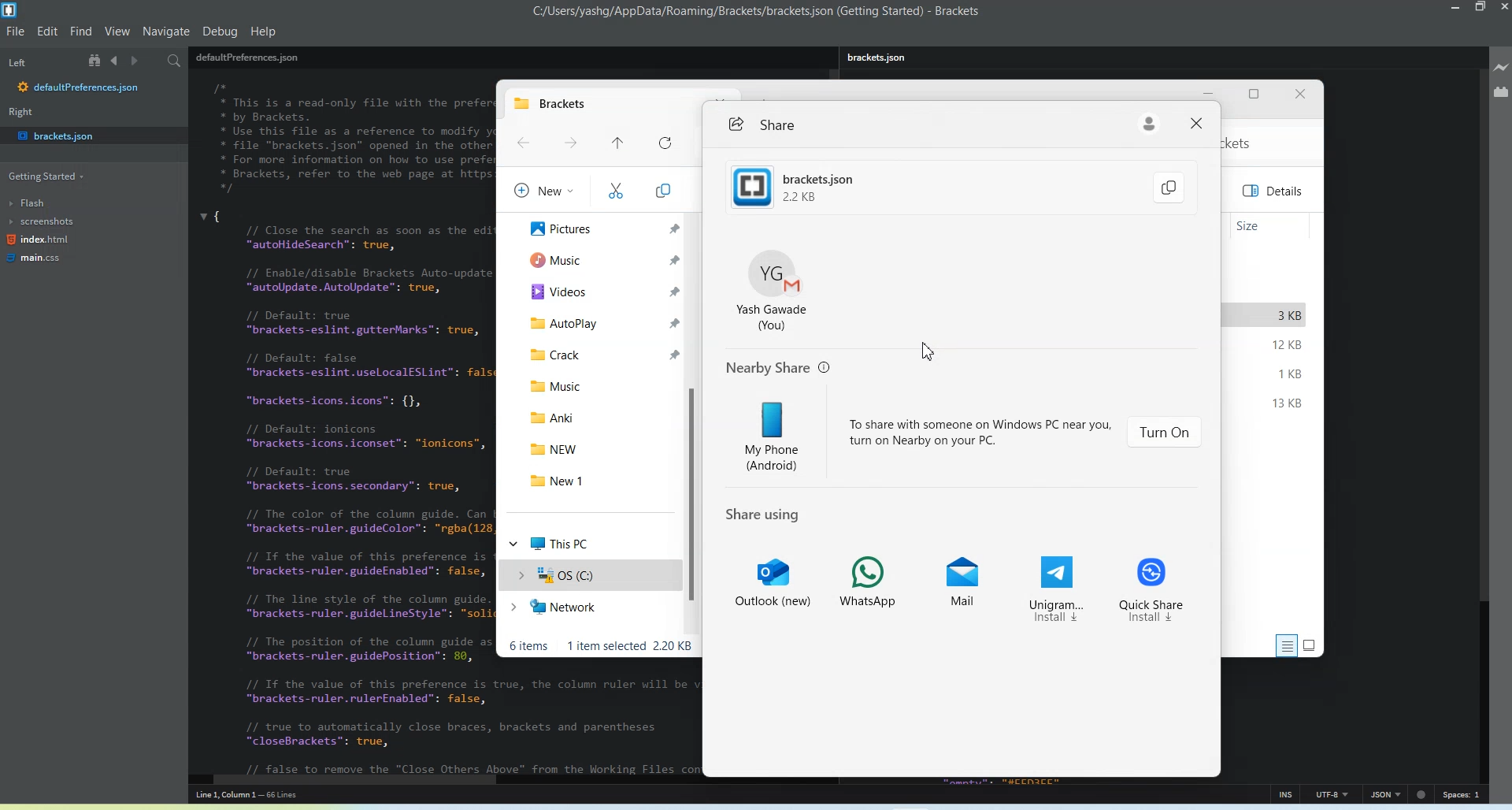 The width and height of the screenshot is (1512, 810). Describe the element at coordinates (1458, 8) in the screenshot. I see `Minimize` at that location.